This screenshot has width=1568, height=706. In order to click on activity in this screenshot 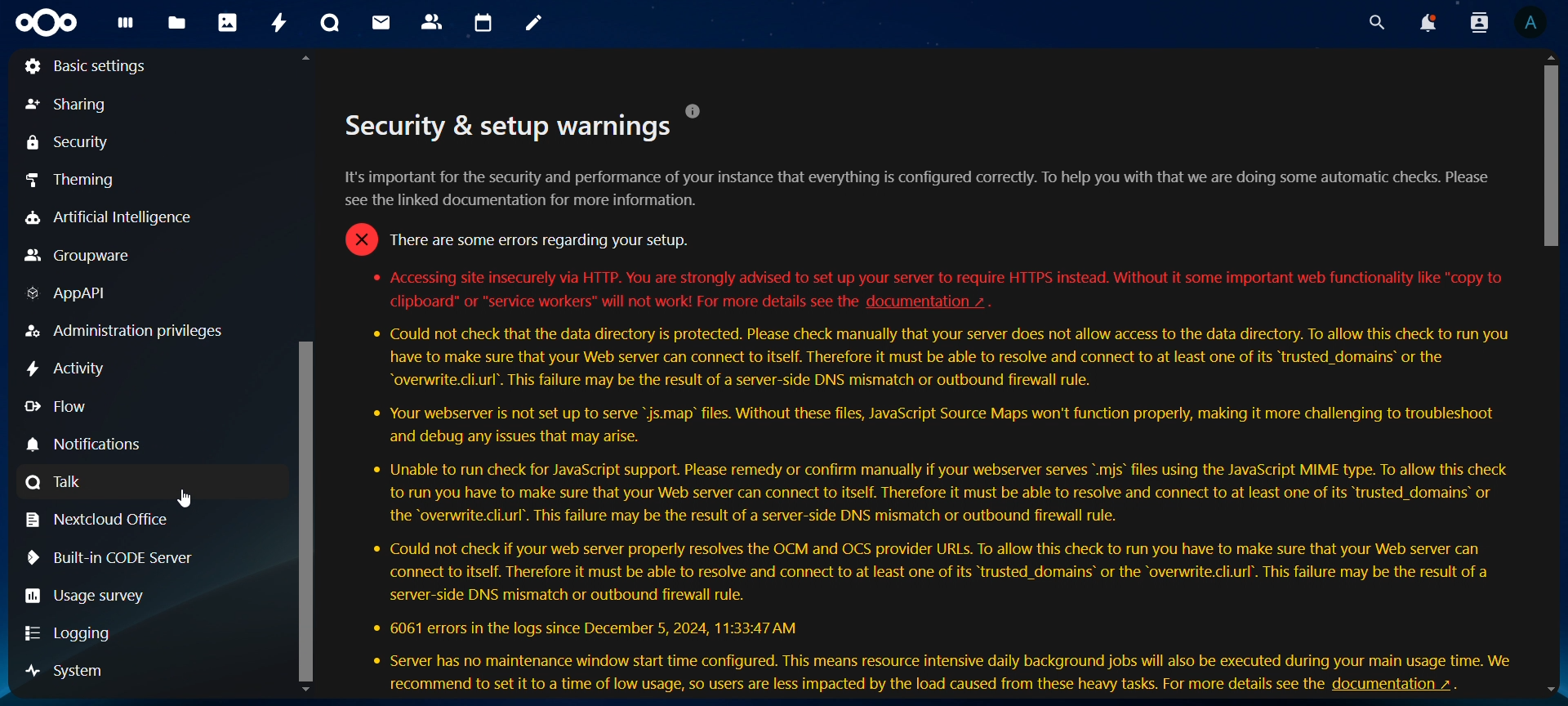, I will do `click(70, 369)`.